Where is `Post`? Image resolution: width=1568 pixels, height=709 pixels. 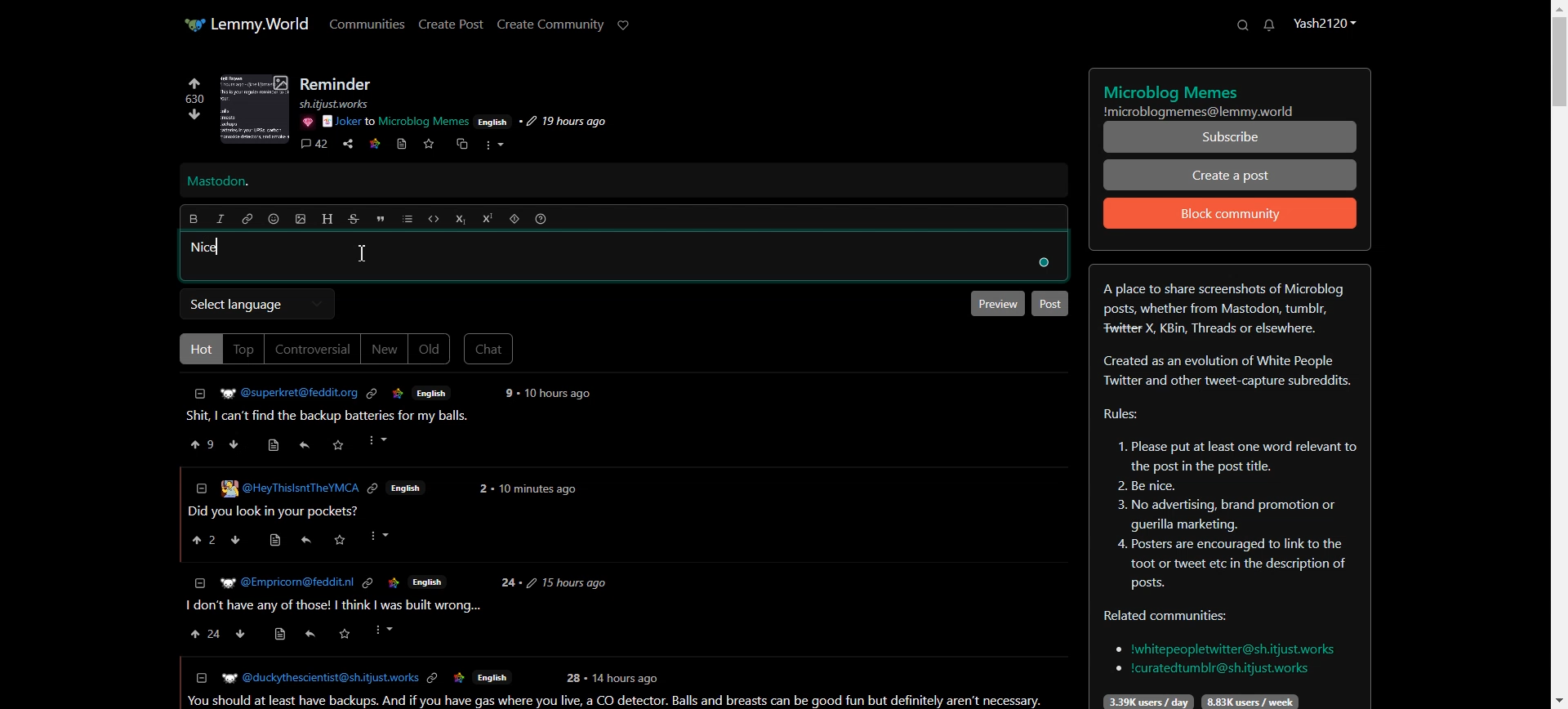
Post is located at coordinates (1050, 304).